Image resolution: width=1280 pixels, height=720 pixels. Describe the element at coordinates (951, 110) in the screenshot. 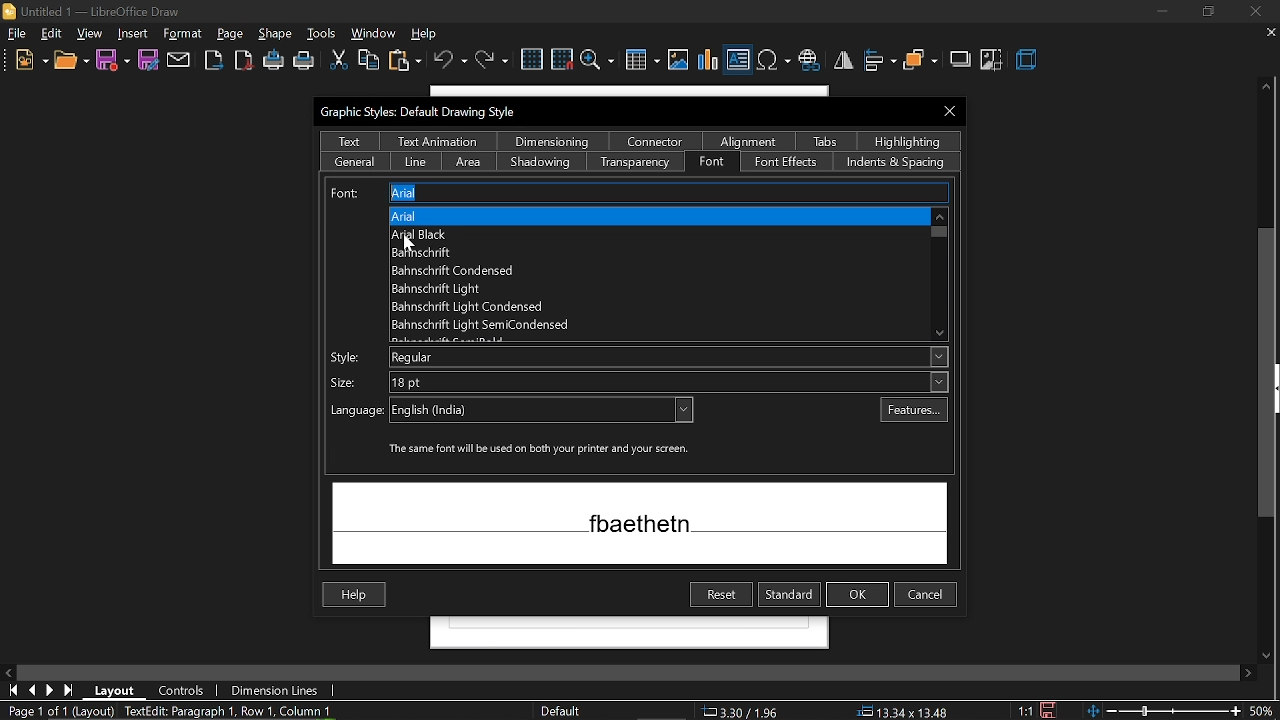

I see `Close` at that location.